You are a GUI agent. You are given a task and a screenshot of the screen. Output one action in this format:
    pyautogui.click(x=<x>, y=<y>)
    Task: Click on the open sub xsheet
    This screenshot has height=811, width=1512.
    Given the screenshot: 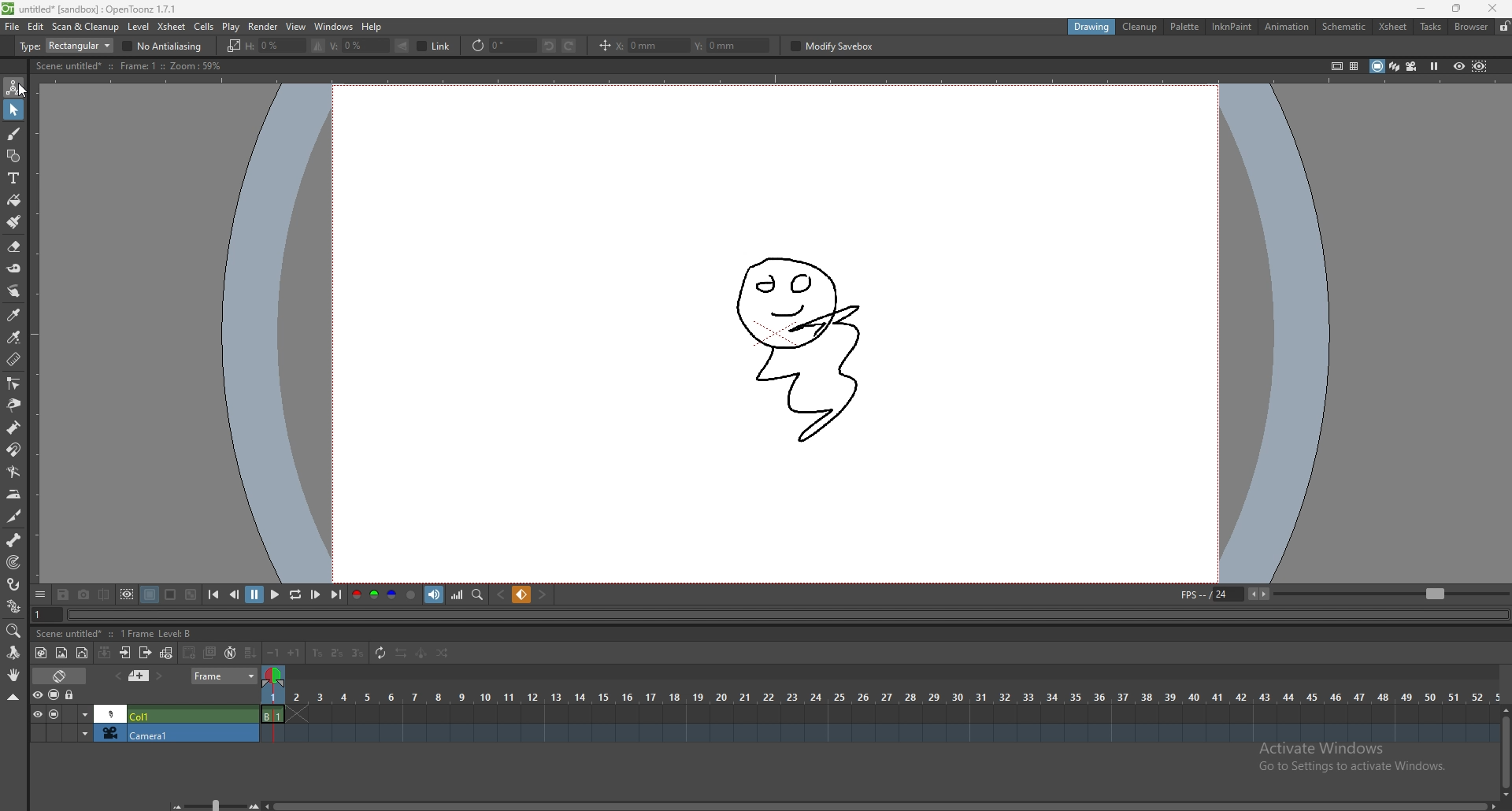 What is the action you would take?
    pyautogui.click(x=125, y=653)
    